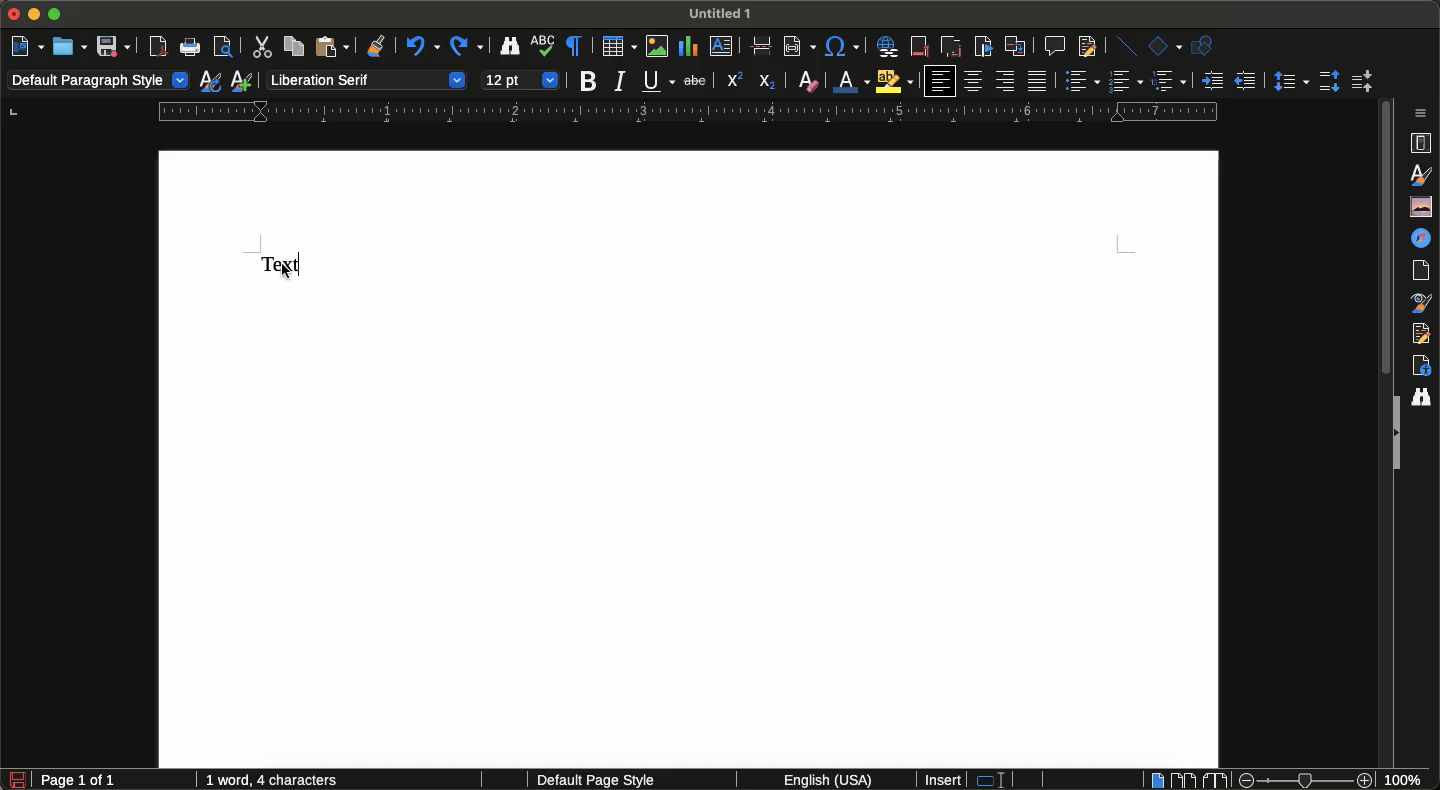 This screenshot has width=1440, height=790. I want to click on Show track changes functions, so click(1085, 47).